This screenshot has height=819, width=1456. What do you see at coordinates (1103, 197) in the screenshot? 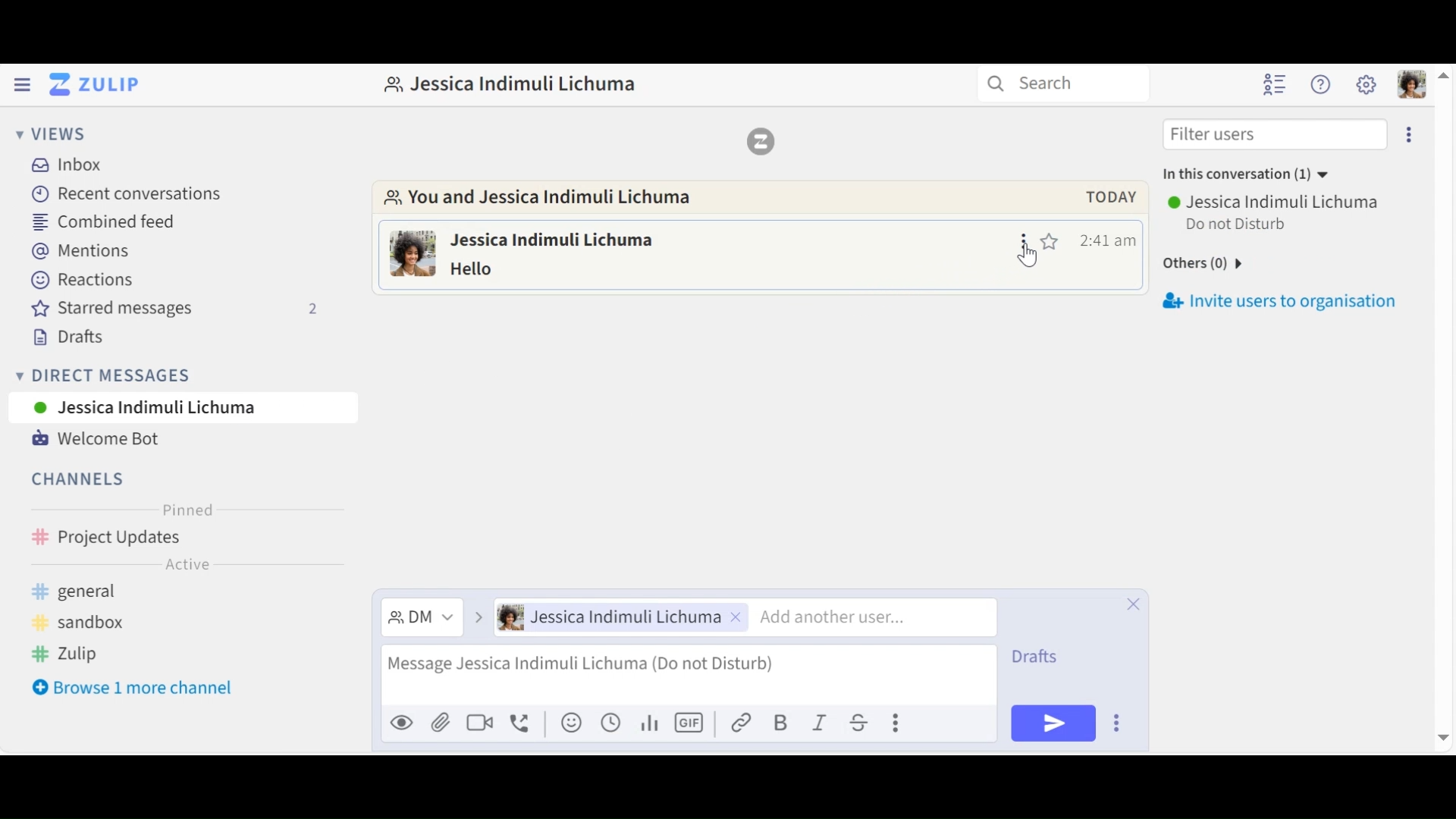
I see `today` at bounding box center [1103, 197].